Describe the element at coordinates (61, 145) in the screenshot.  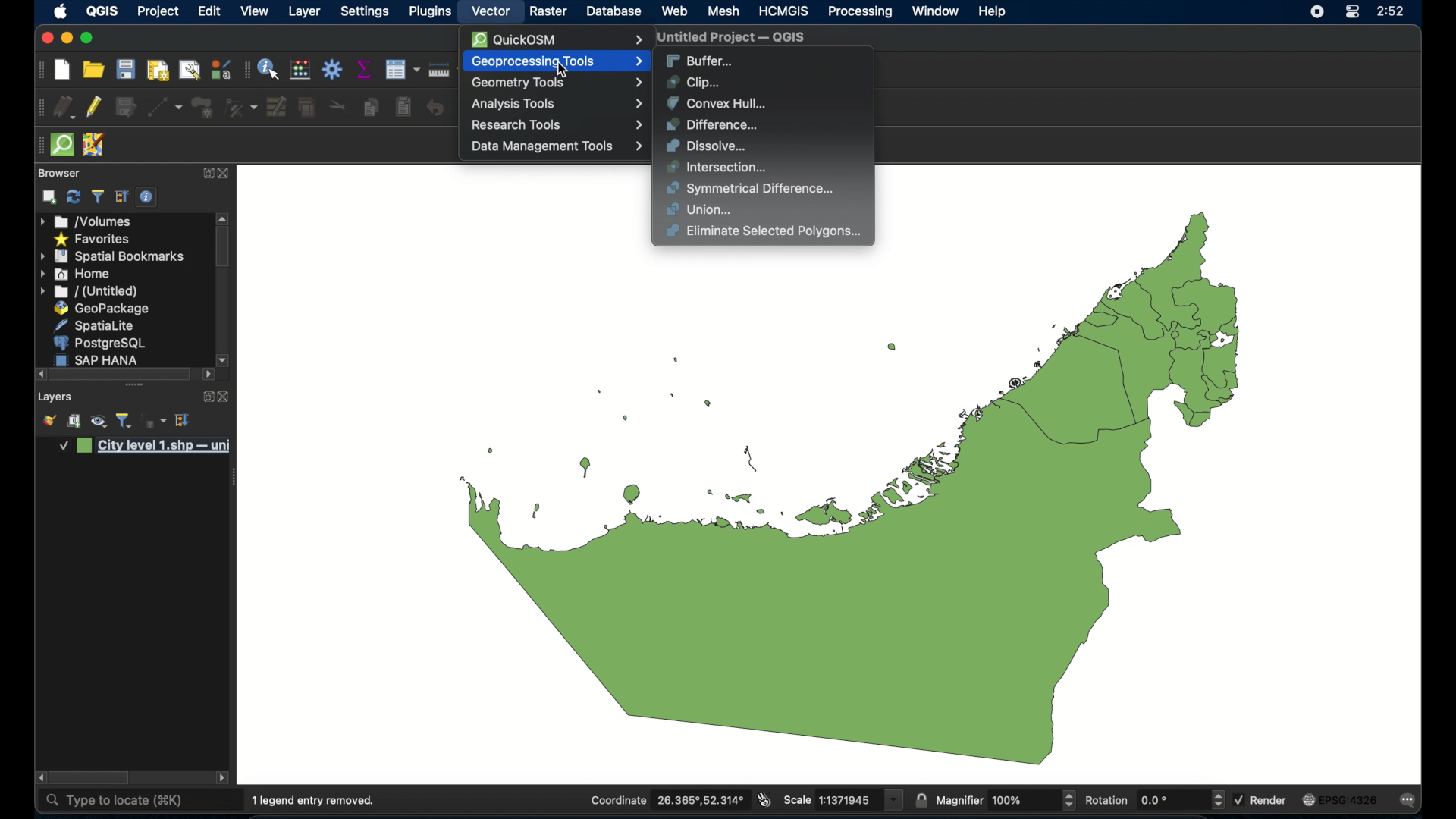
I see `quick osm` at that location.